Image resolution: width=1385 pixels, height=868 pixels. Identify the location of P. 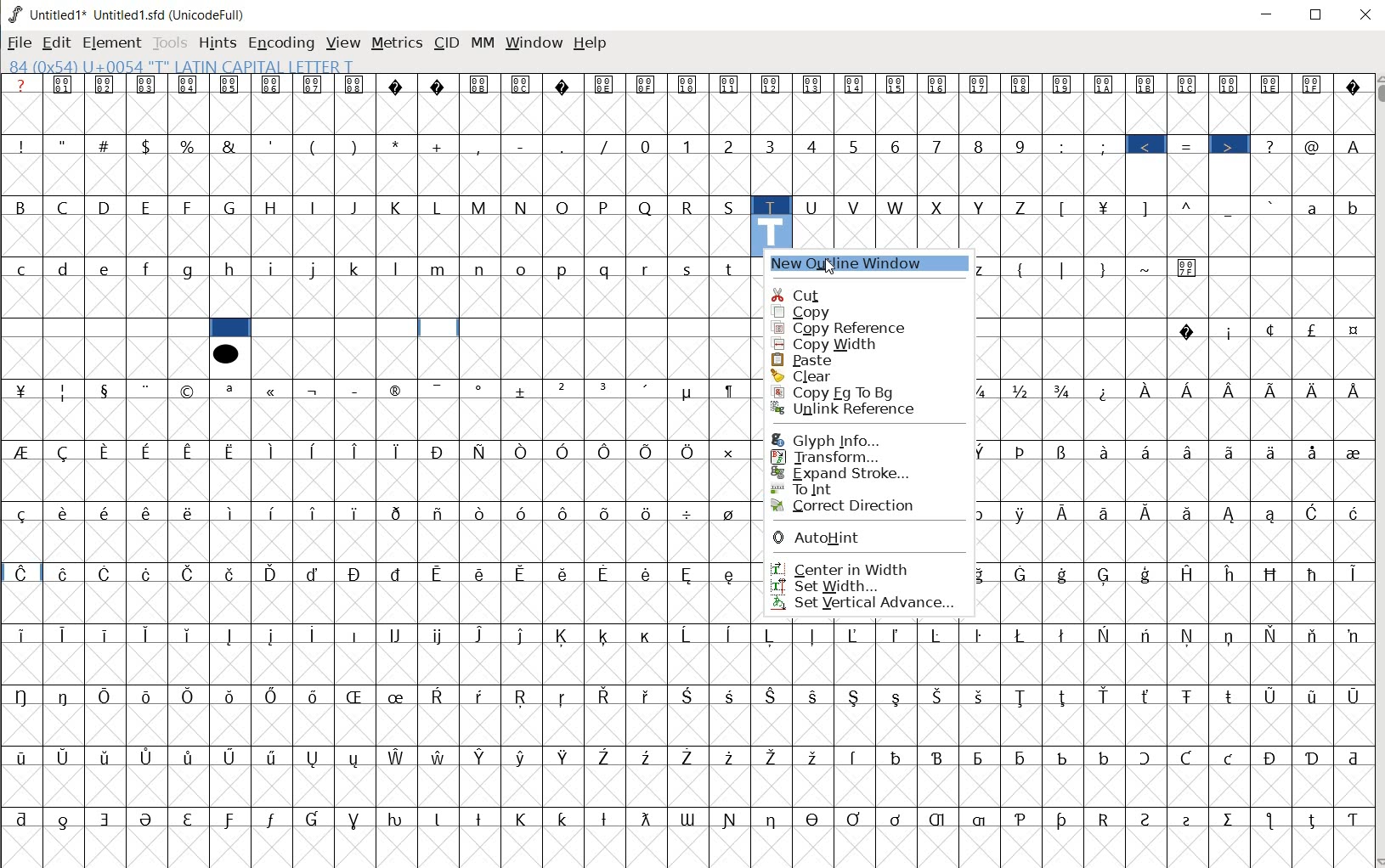
(605, 206).